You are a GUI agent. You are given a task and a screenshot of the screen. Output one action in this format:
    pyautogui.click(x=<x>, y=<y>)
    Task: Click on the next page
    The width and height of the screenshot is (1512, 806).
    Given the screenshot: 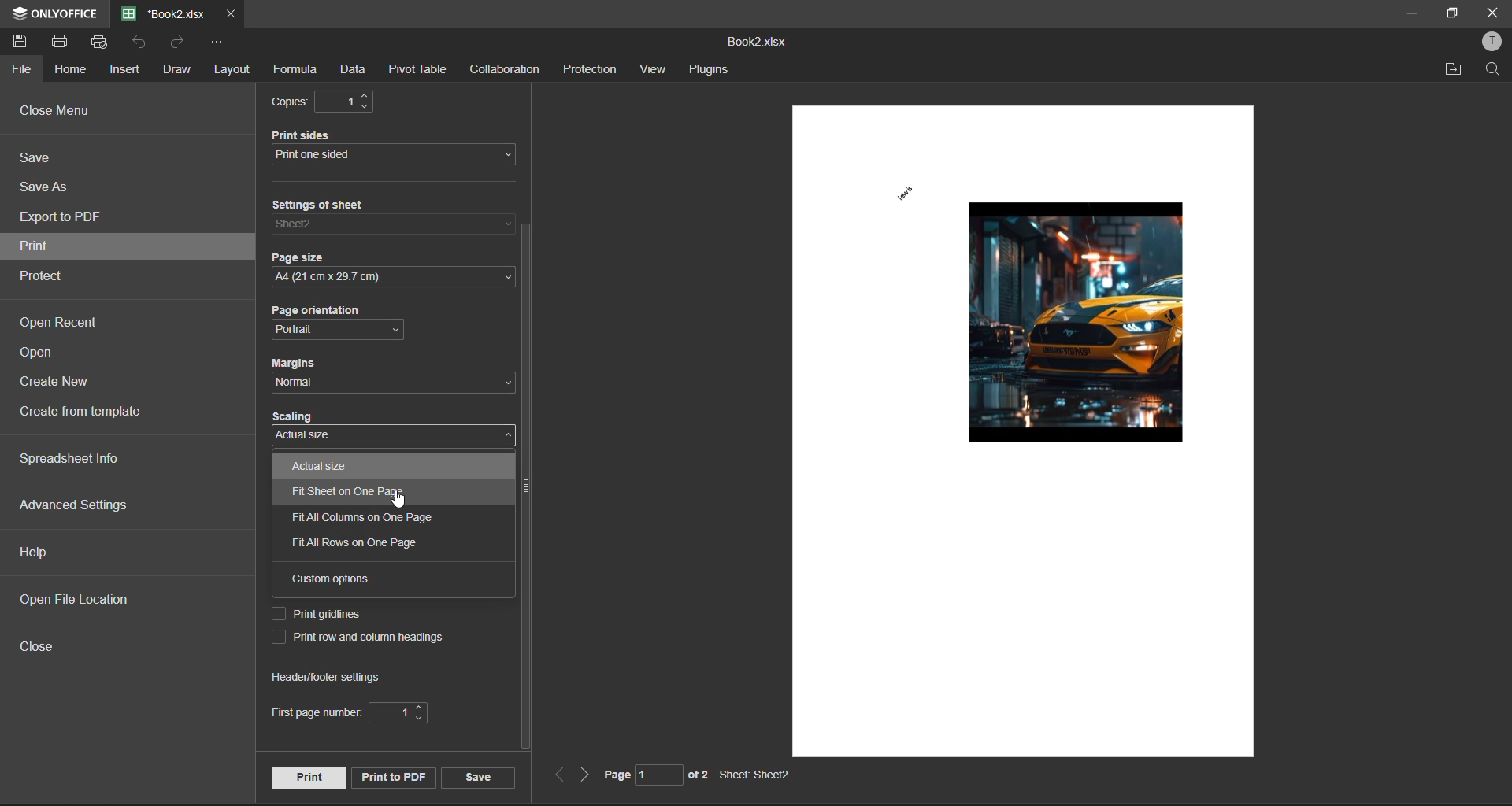 What is the action you would take?
    pyautogui.click(x=582, y=775)
    